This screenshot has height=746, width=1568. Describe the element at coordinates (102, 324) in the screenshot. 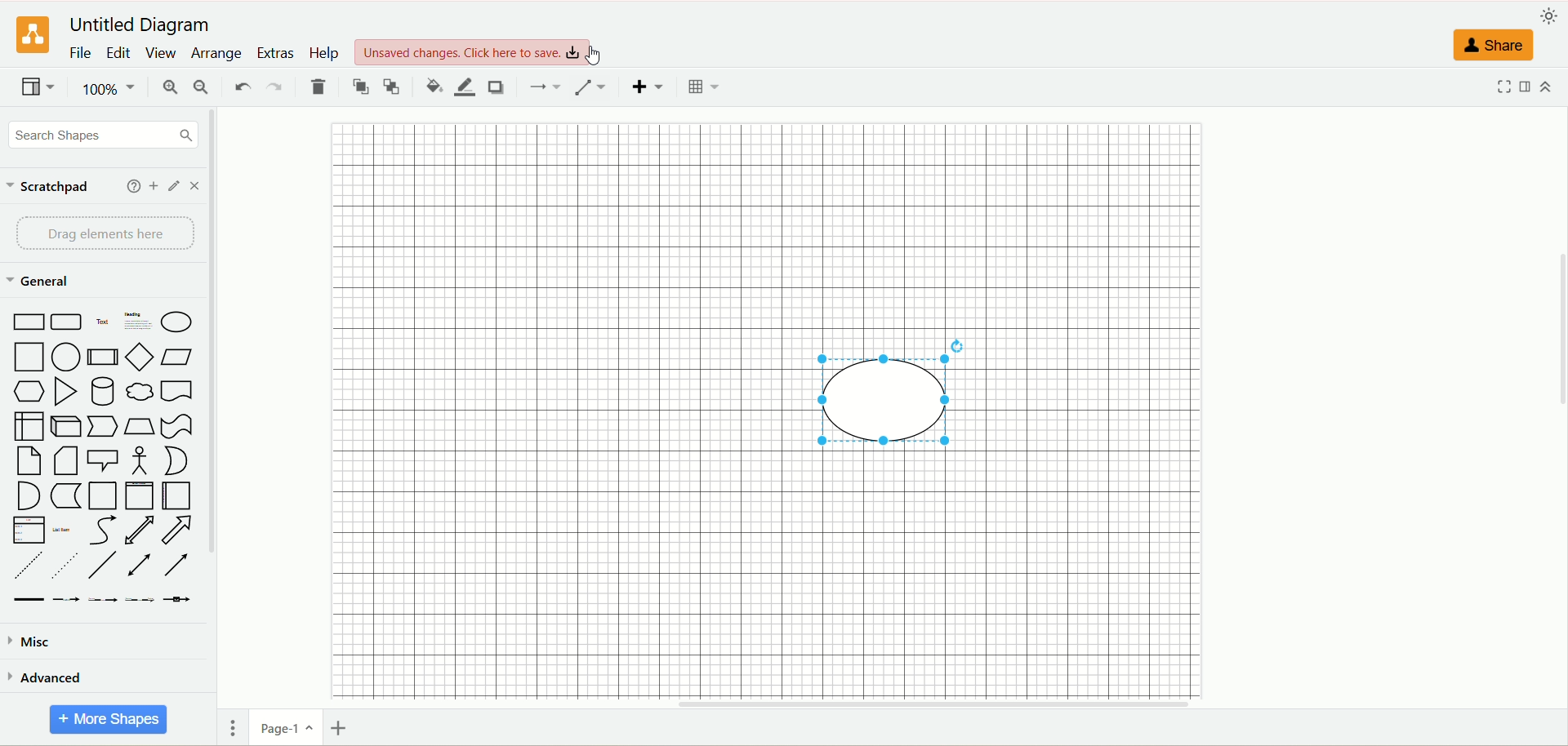

I see `text` at that location.